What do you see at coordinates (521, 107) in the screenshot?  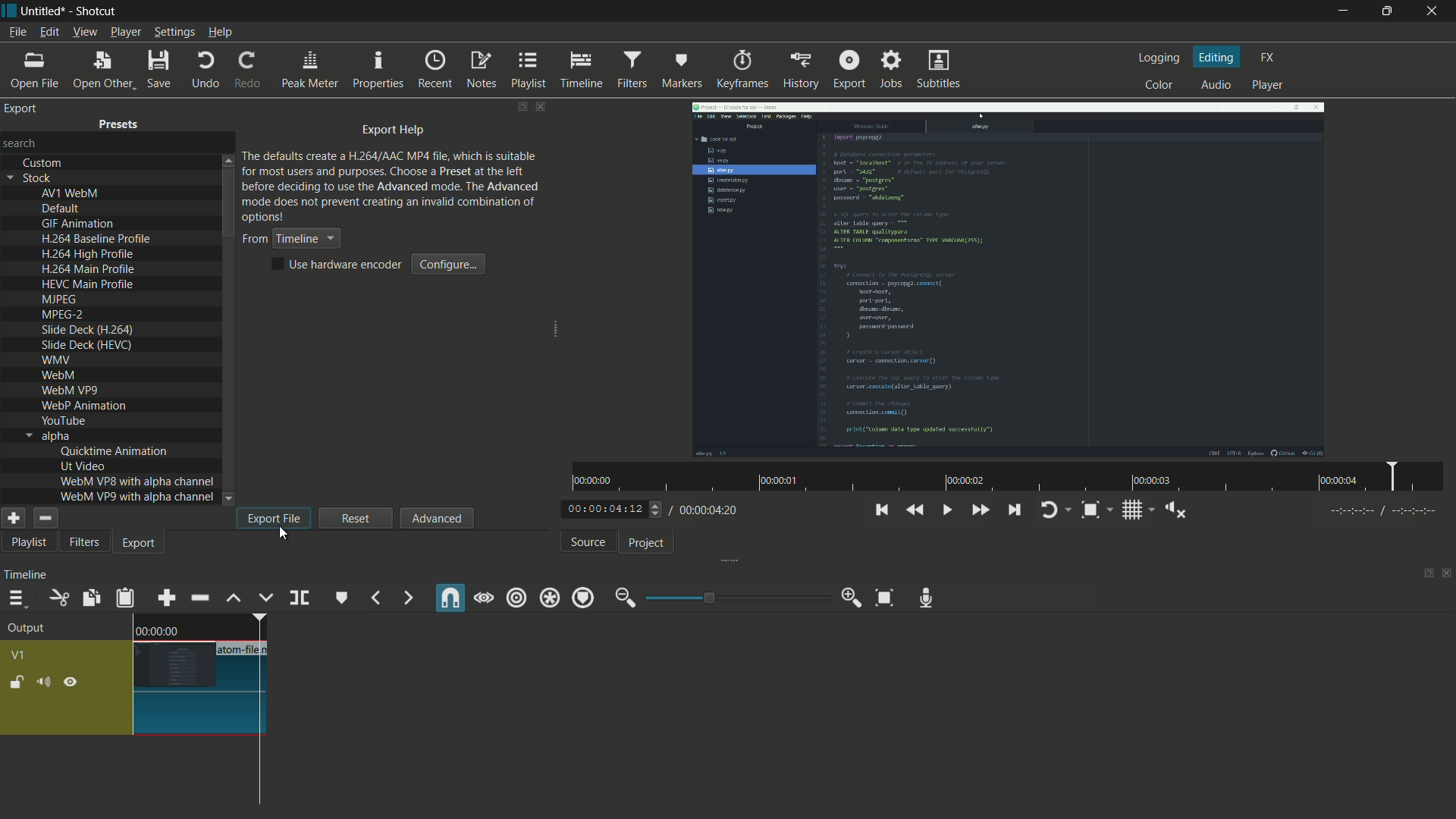 I see `change layout` at bounding box center [521, 107].